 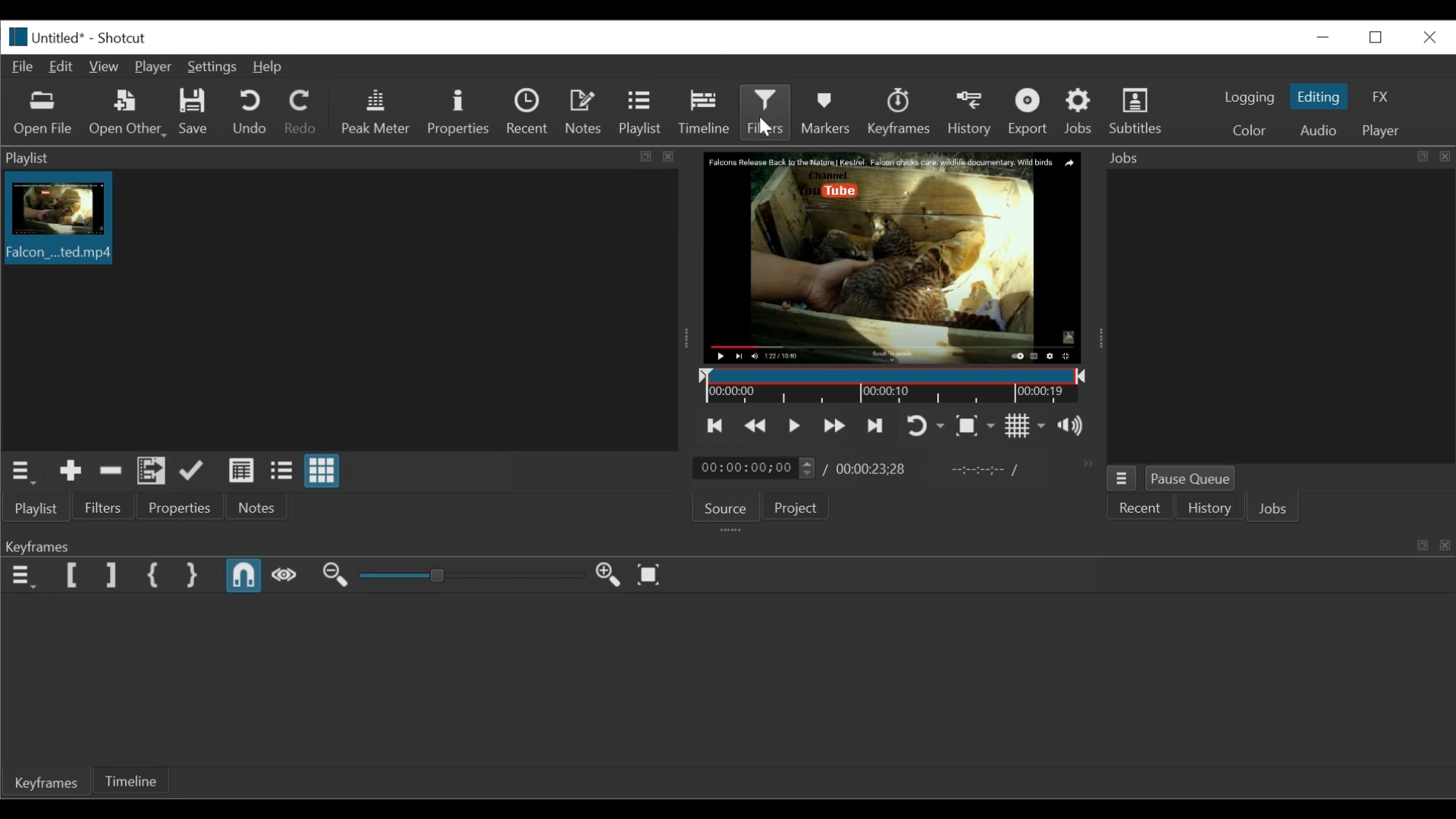 I want to click on Set Filter last, so click(x=111, y=576).